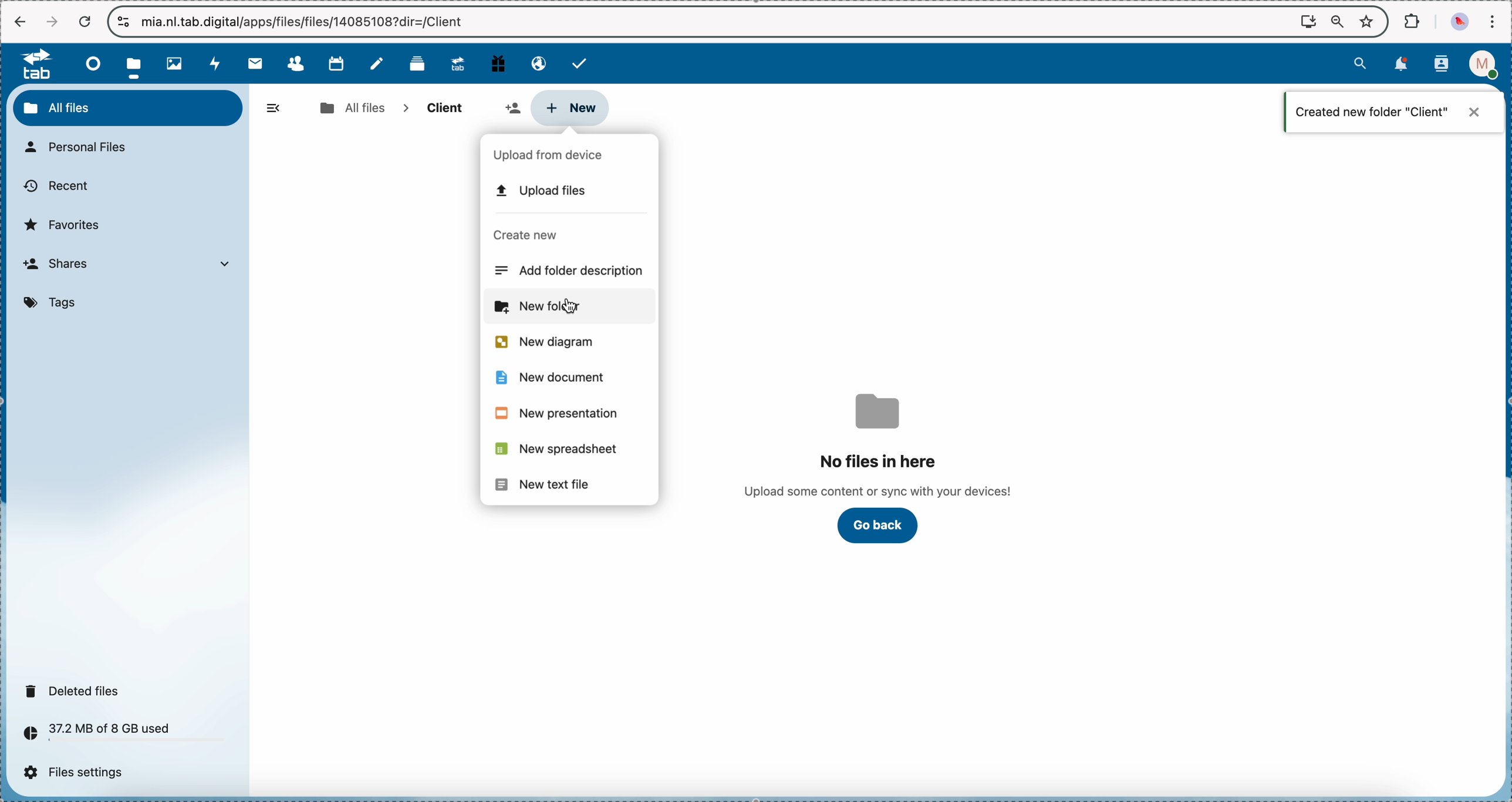 This screenshot has width=1512, height=802. Describe the element at coordinates (575, 306) in the screenshot. I see `cursor` at that location.